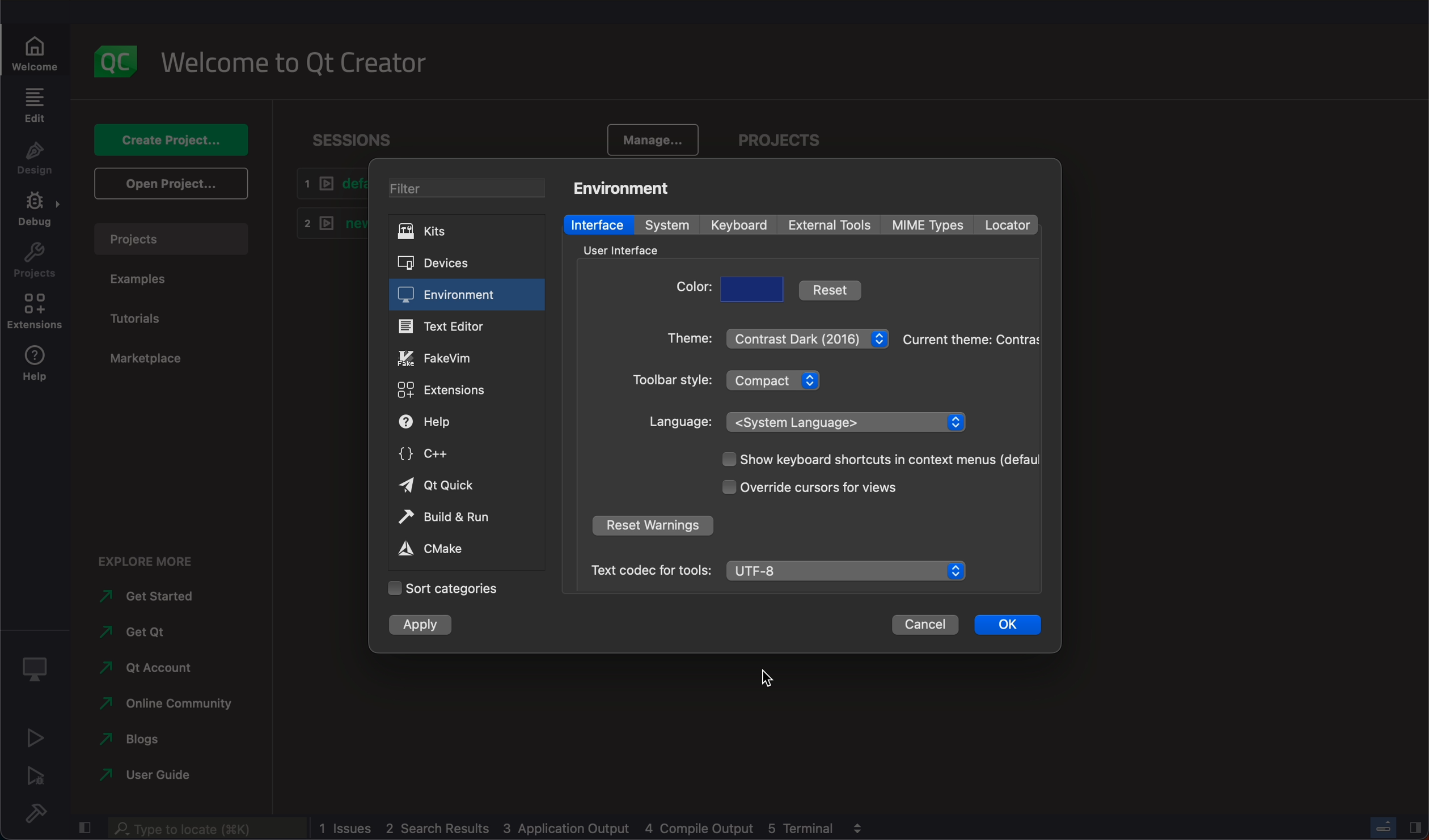 The width and height of the screenshot is (1429, 840). Describe the element at coordinates (831, 487) in the screenshot. I see `cursor` at that location.